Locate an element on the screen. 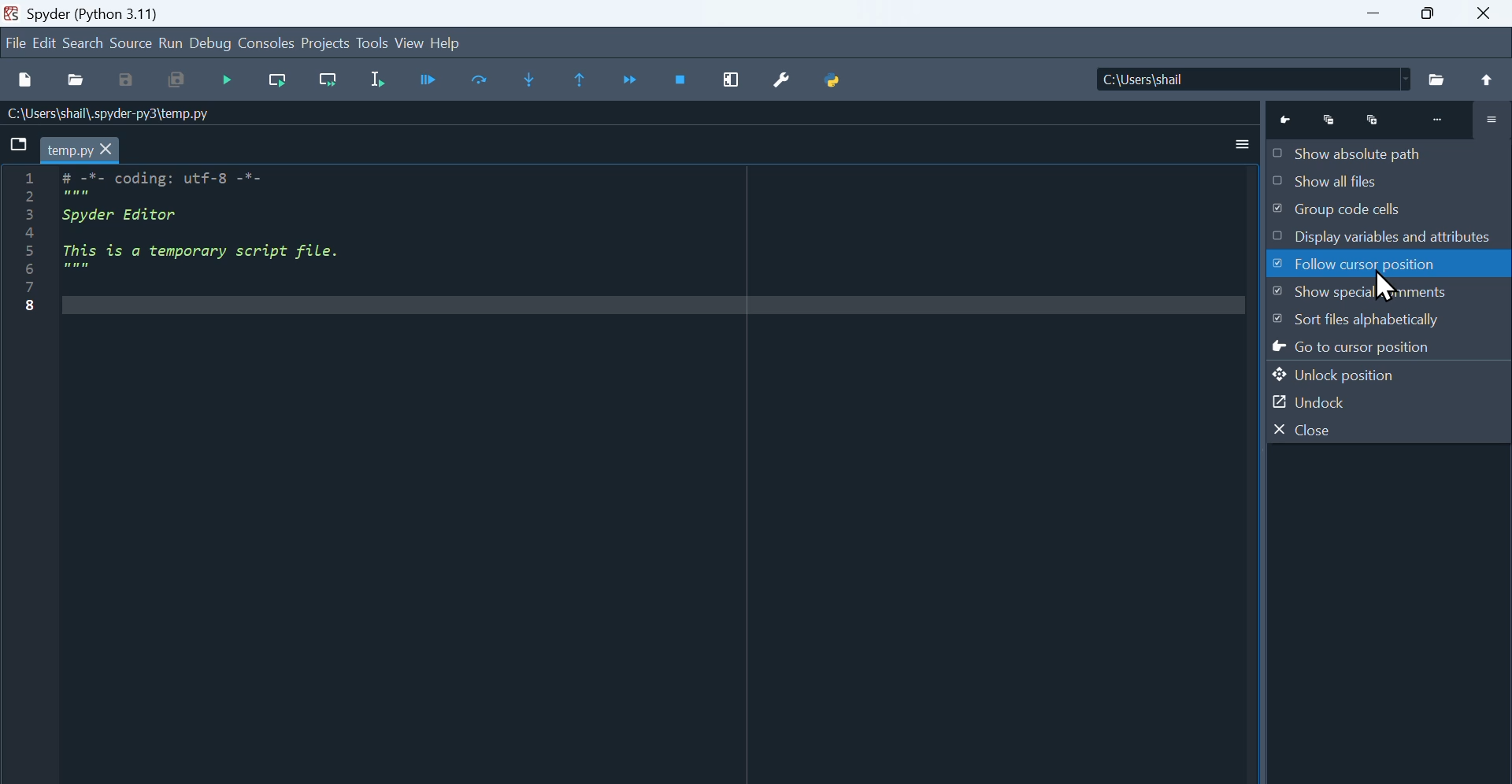 The width and height of the screenshot is (1512, 784). run is located at coordinates (173, 43).